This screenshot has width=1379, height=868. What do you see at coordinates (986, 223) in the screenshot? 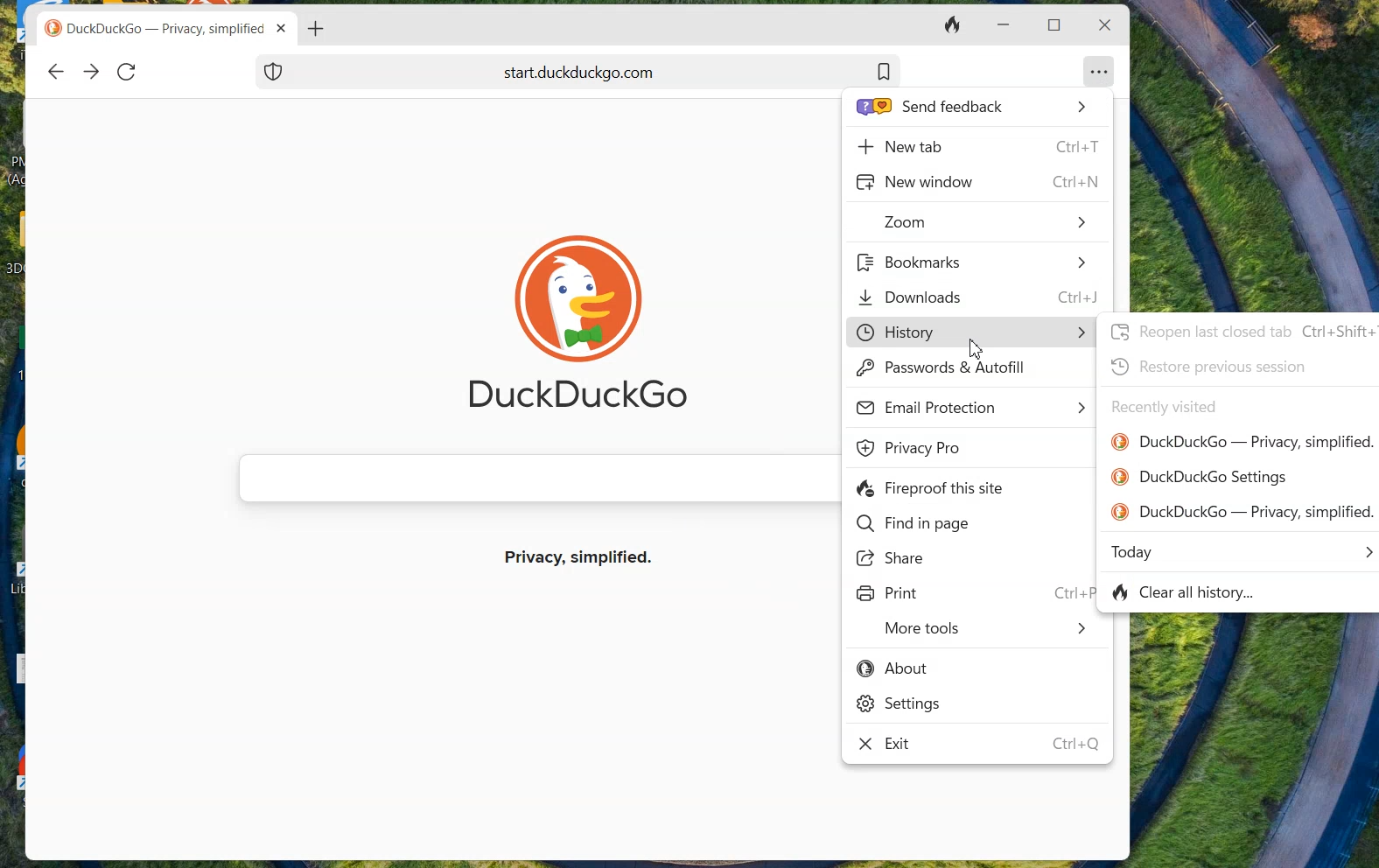
I see `Zoom` at bounding box center [986, 223].